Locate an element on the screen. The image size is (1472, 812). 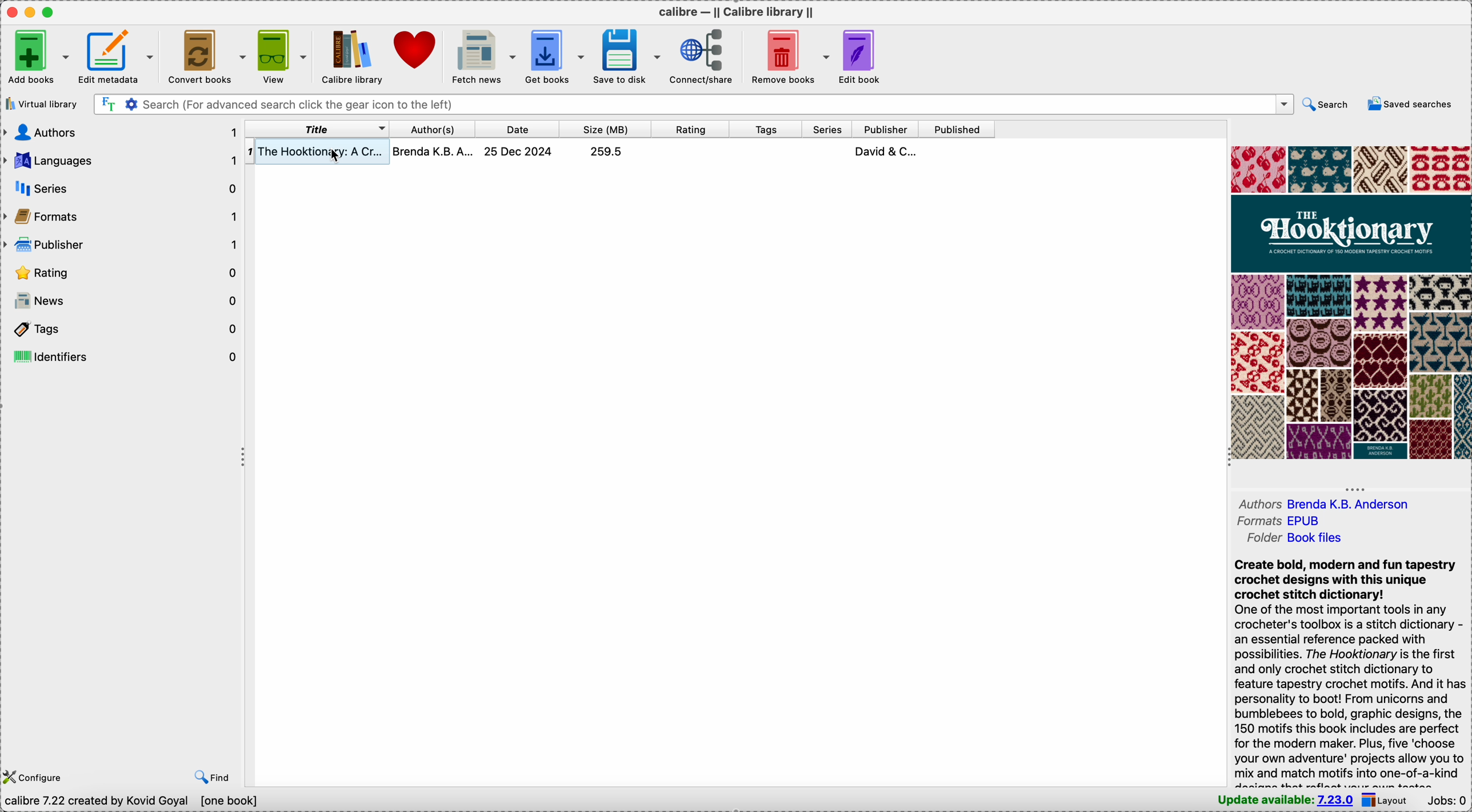
connect/share is located at coordinates (705, 54).